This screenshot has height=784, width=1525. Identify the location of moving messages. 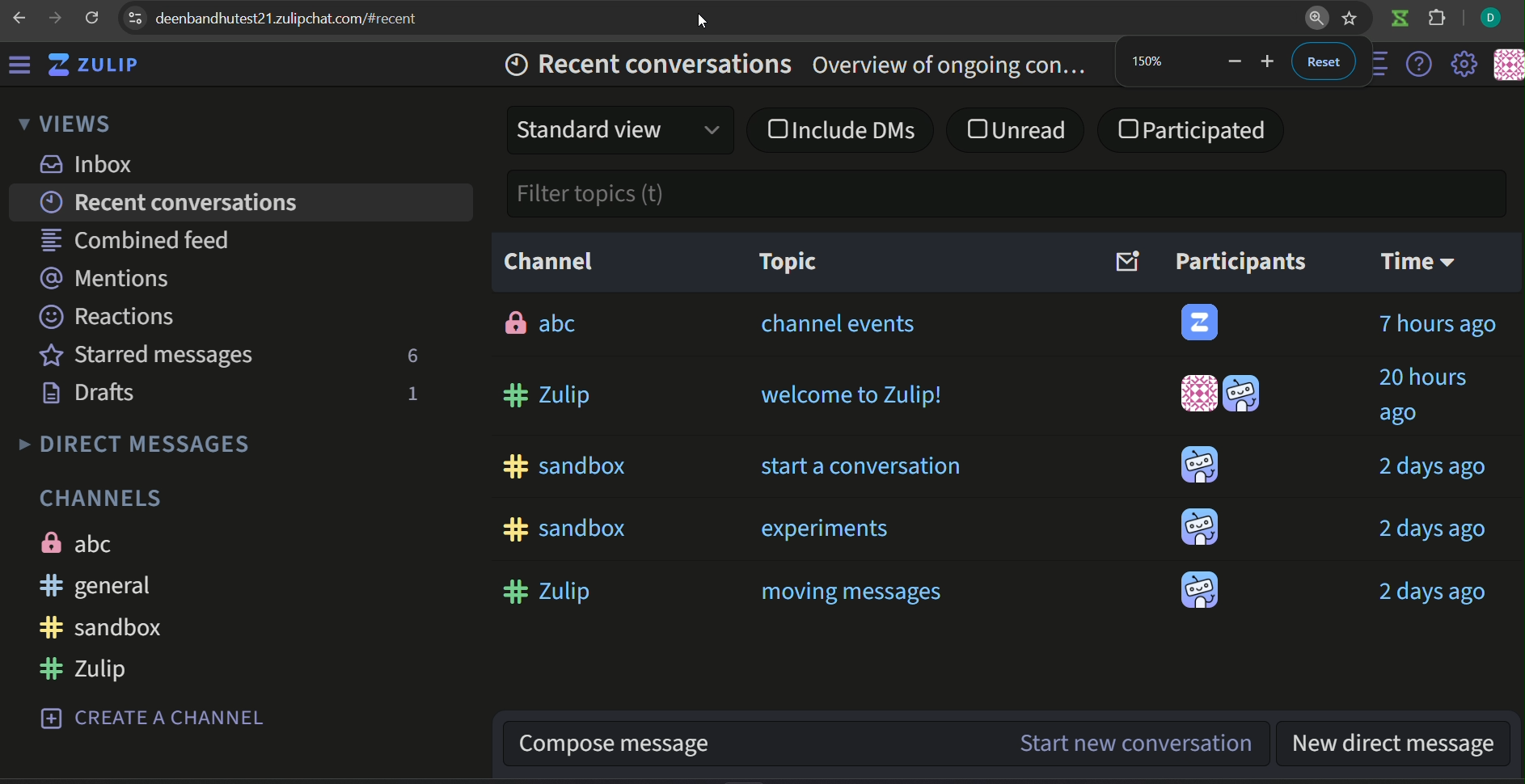
(854, 591).